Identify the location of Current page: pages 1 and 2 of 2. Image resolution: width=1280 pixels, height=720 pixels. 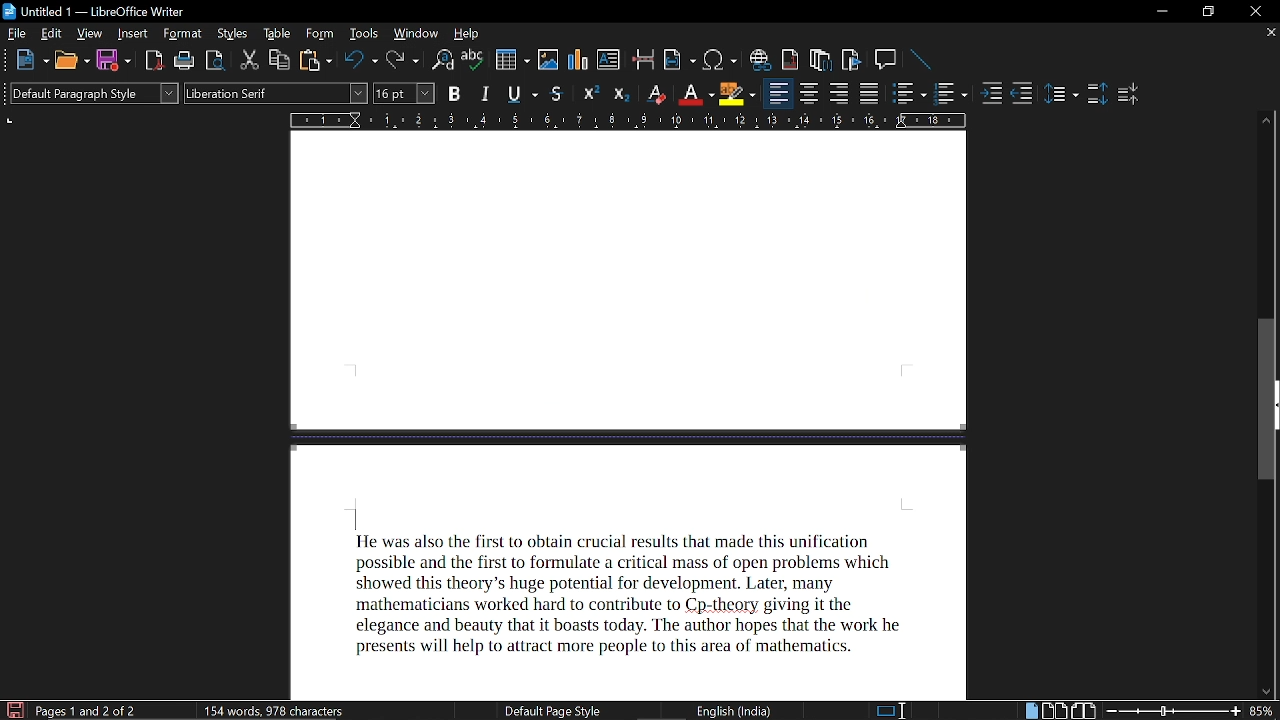
(88, 711).